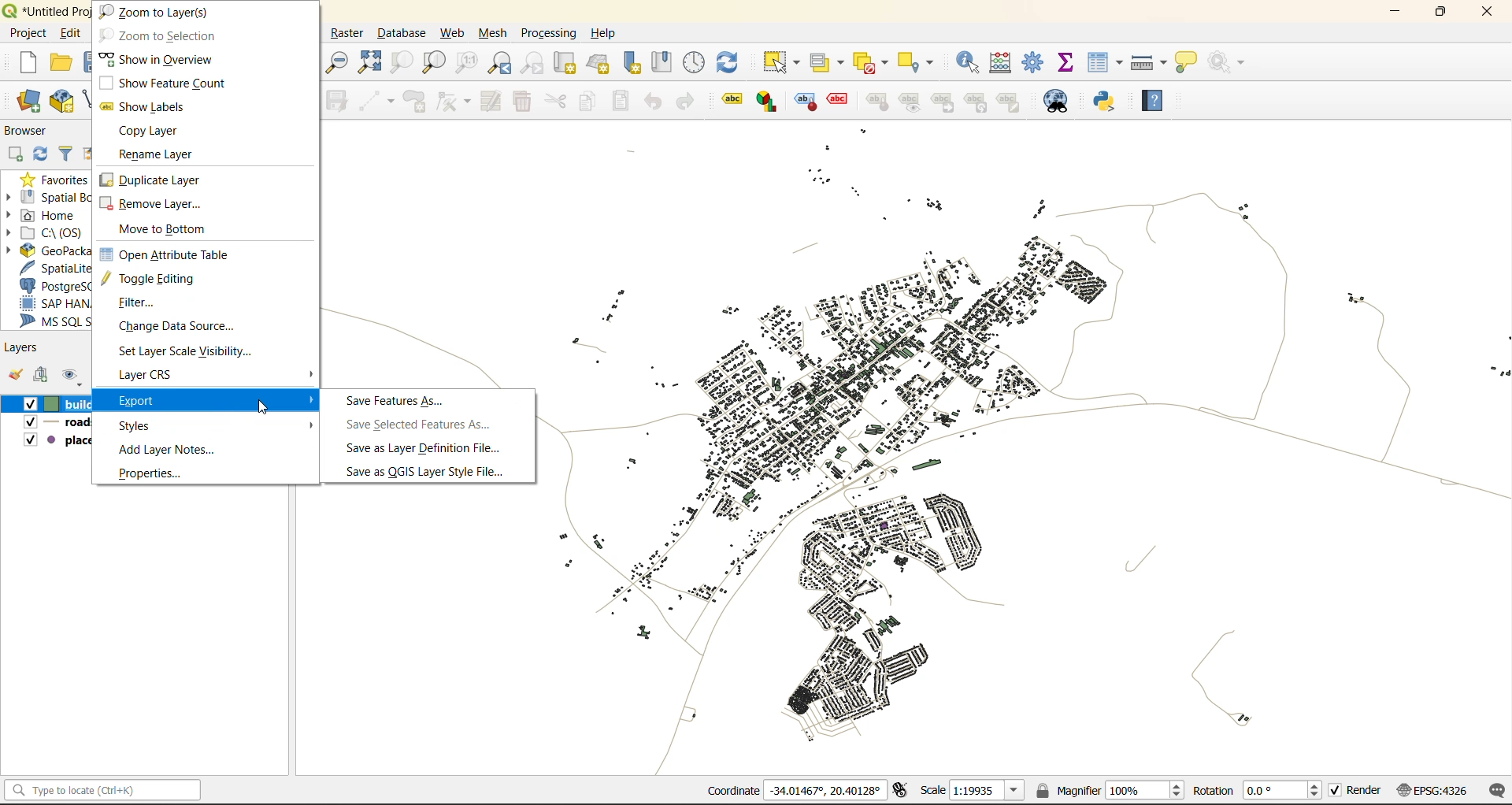 The height and width of the screenshot is (805, 1512). I want to click on toolbox, so click(1034, 64).